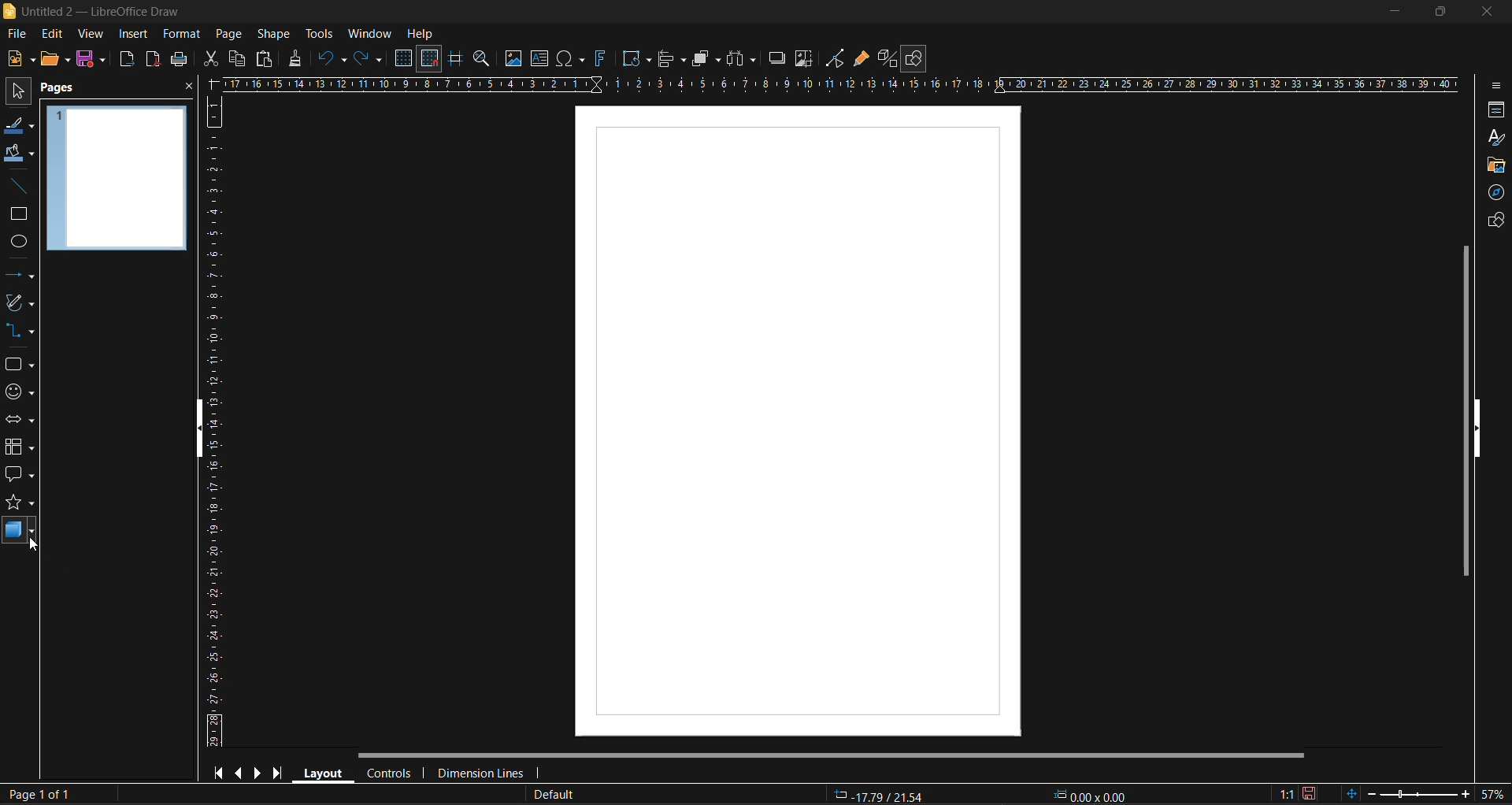  Describe the element at coordinates (19, 215) in the screenshot. I see `rectangle` at that location.